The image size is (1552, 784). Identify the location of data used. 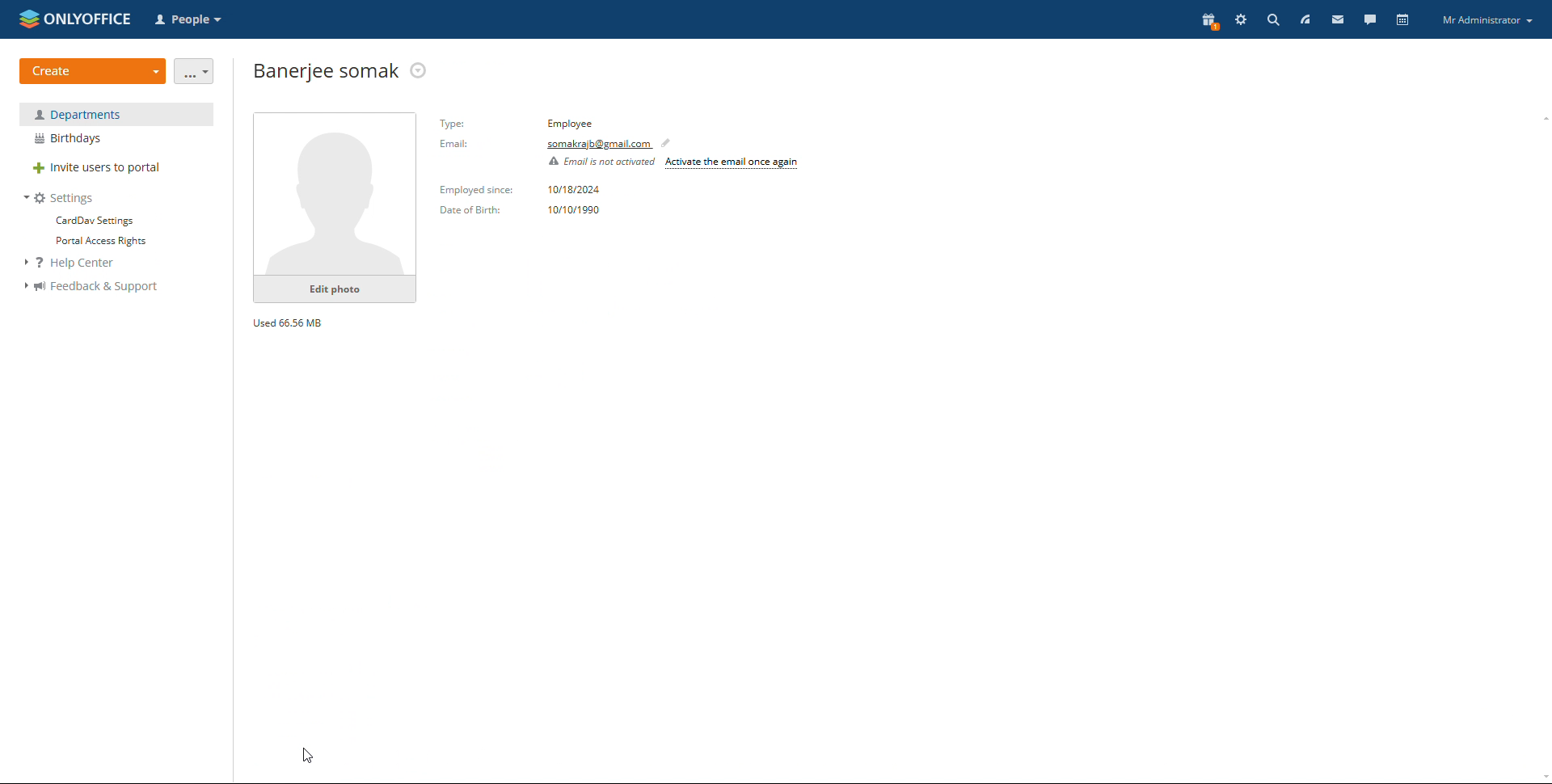
(289, 322).